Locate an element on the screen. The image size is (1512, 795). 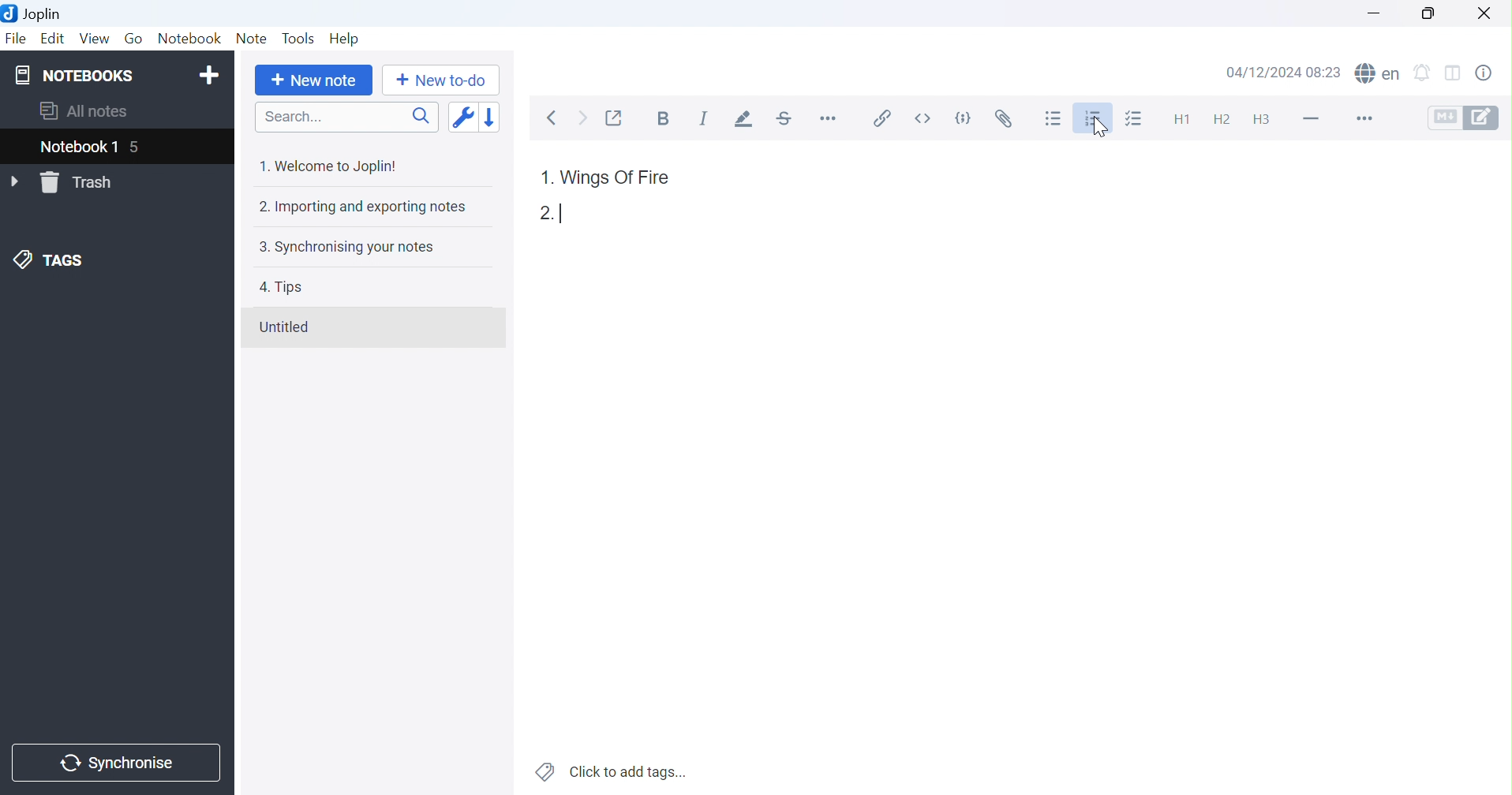
Drop Down is located at coordinates (16, 182).